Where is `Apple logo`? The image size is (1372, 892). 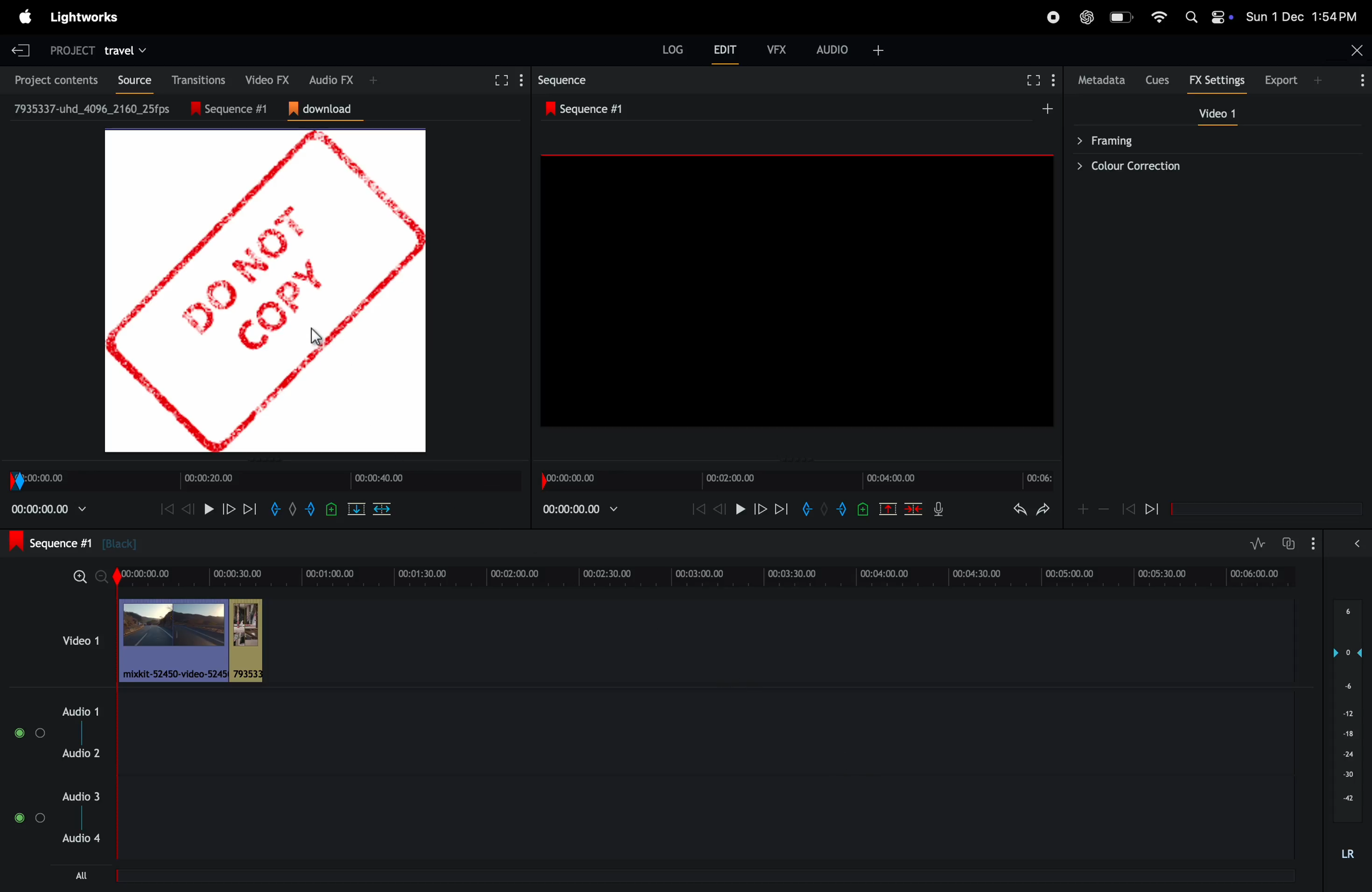 Apple logo is located at coordinates (26, 17).